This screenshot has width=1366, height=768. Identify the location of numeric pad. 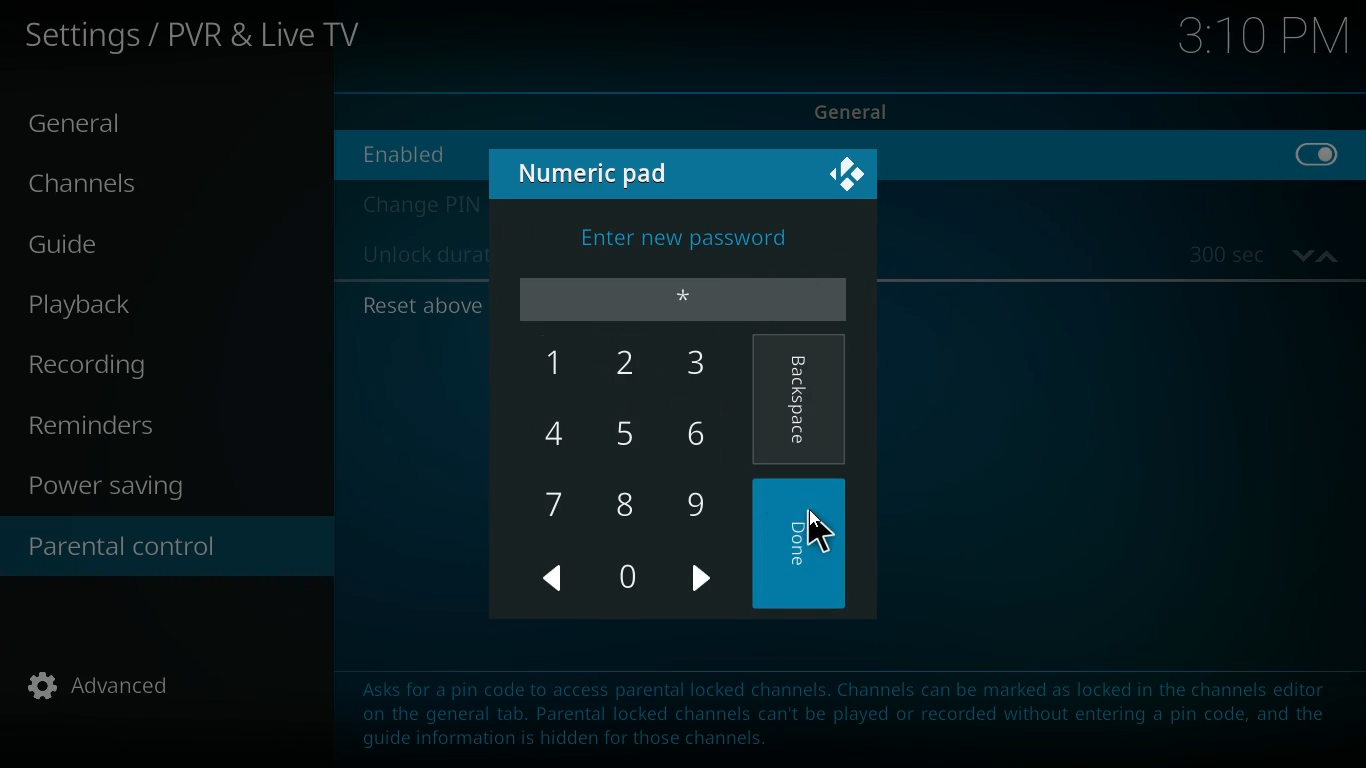
(602, 172).